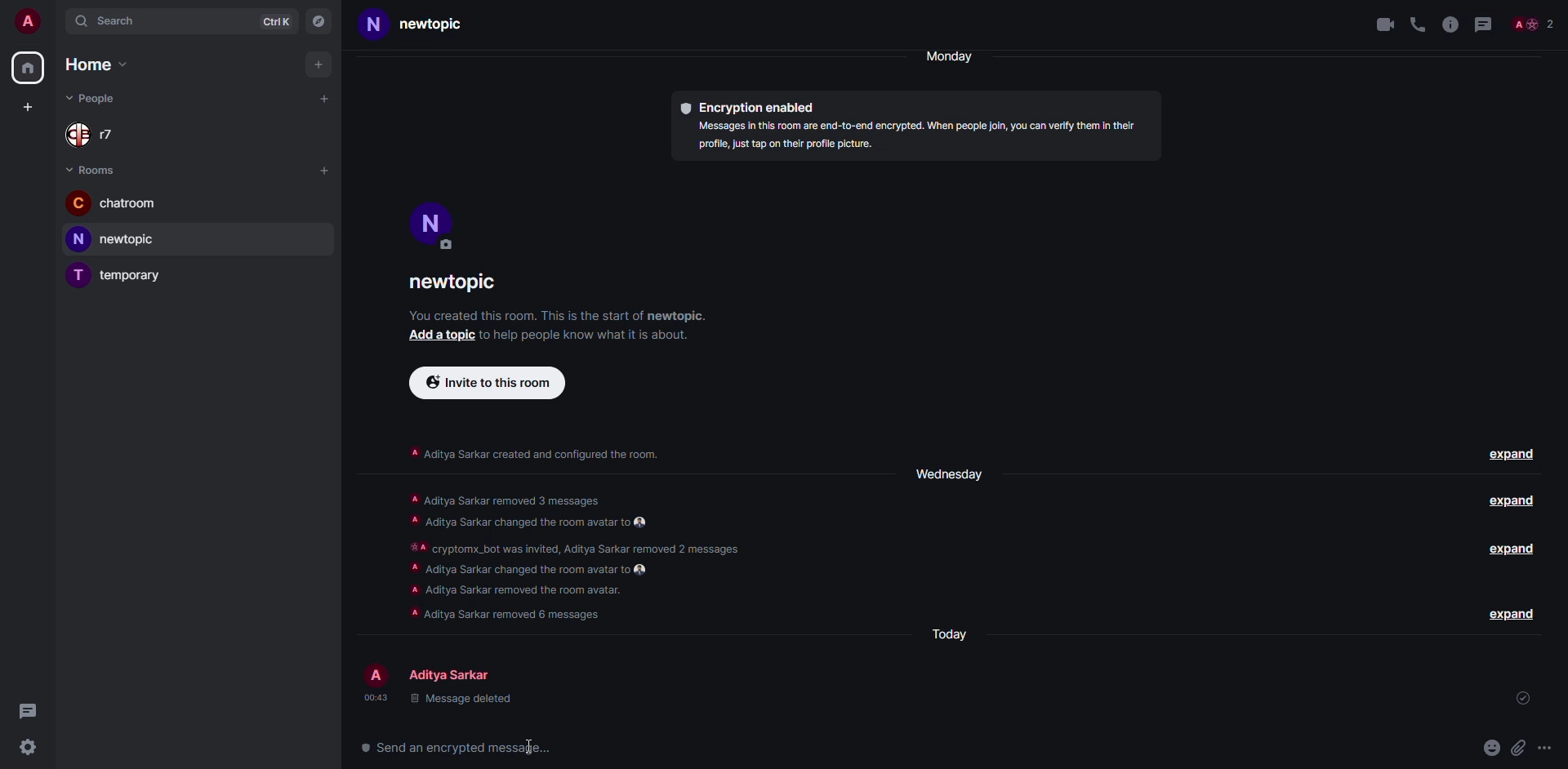 The height and width of the screenshot is (769, 1568). Describe the element at coordinates (454, 676) in the screenshot. I see `people` at that location.